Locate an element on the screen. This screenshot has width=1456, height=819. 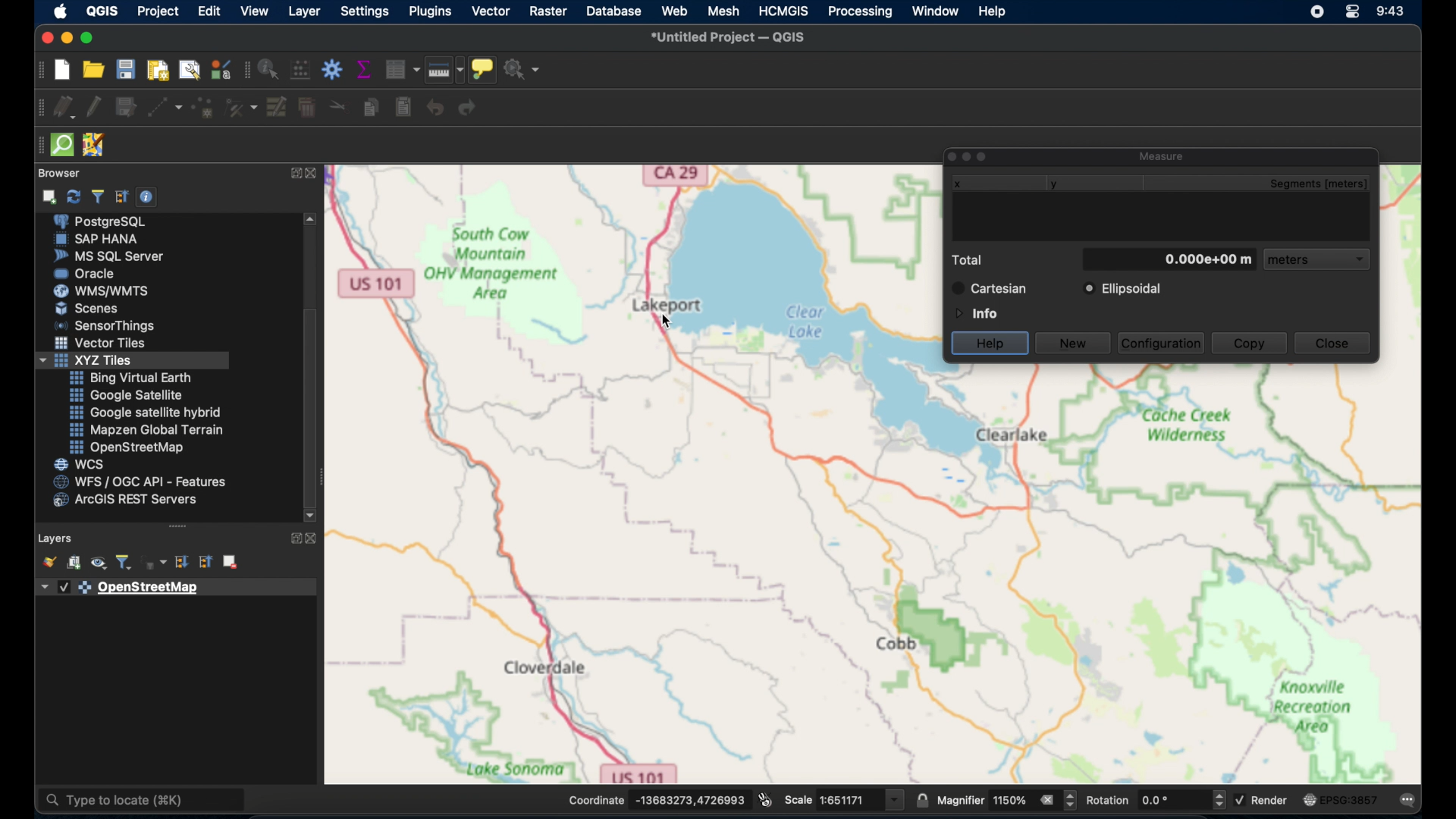
project is located at coordinates (158, 10).